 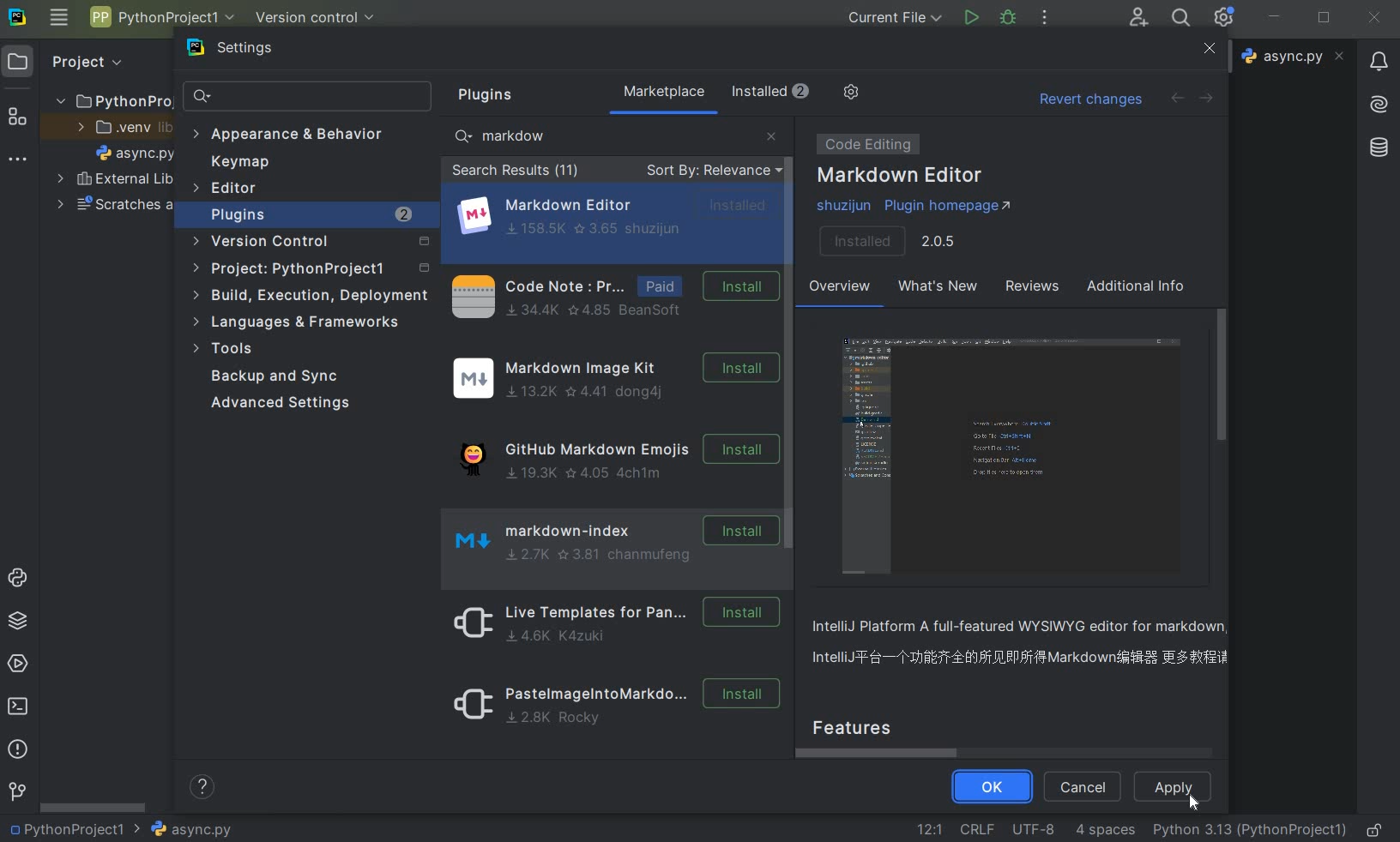 I want to click on fine encoding, so click(x=1033, y=827).